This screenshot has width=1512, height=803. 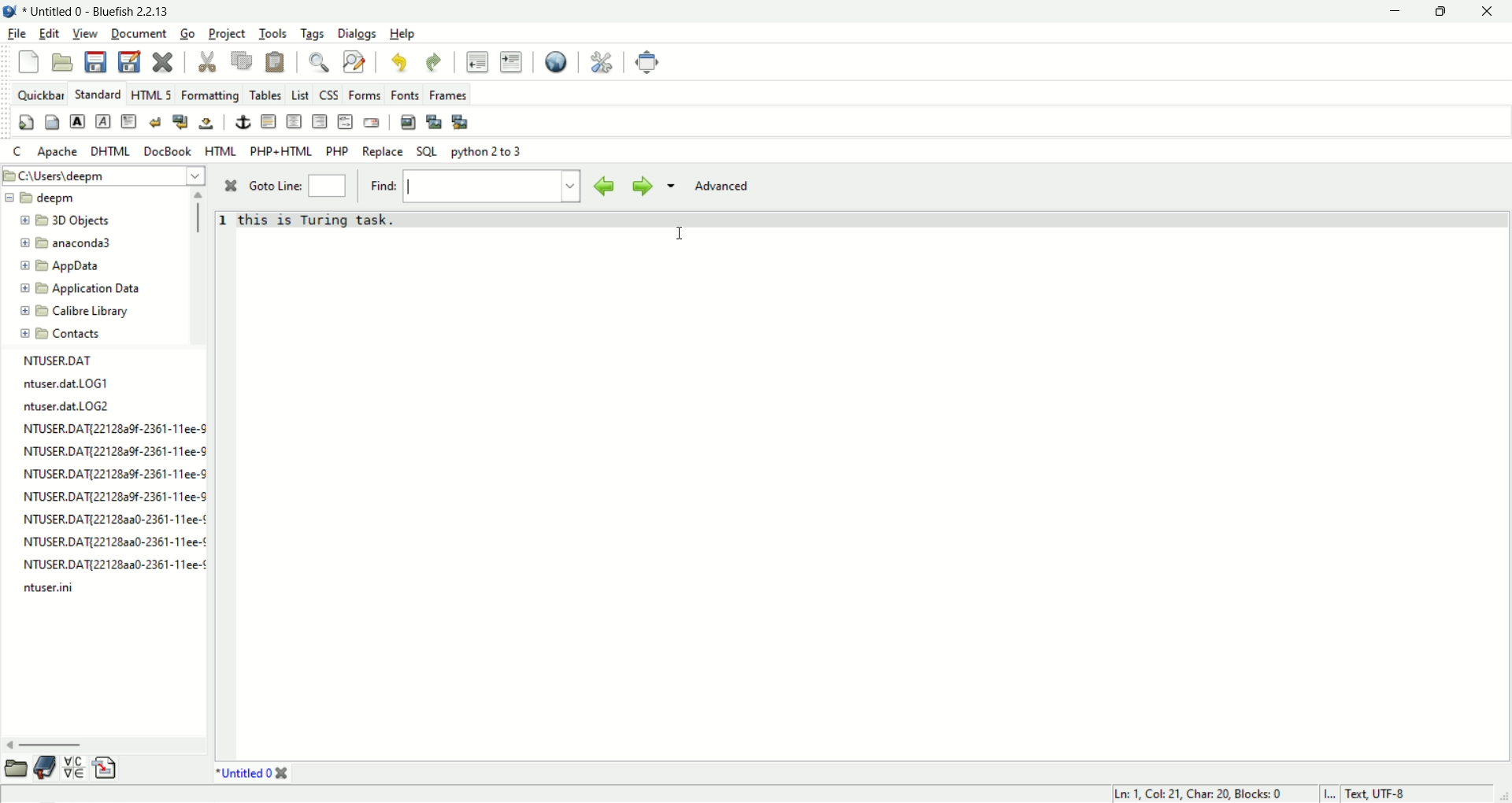 I want to click on PHP+HTML, so click(x=281, y=152).